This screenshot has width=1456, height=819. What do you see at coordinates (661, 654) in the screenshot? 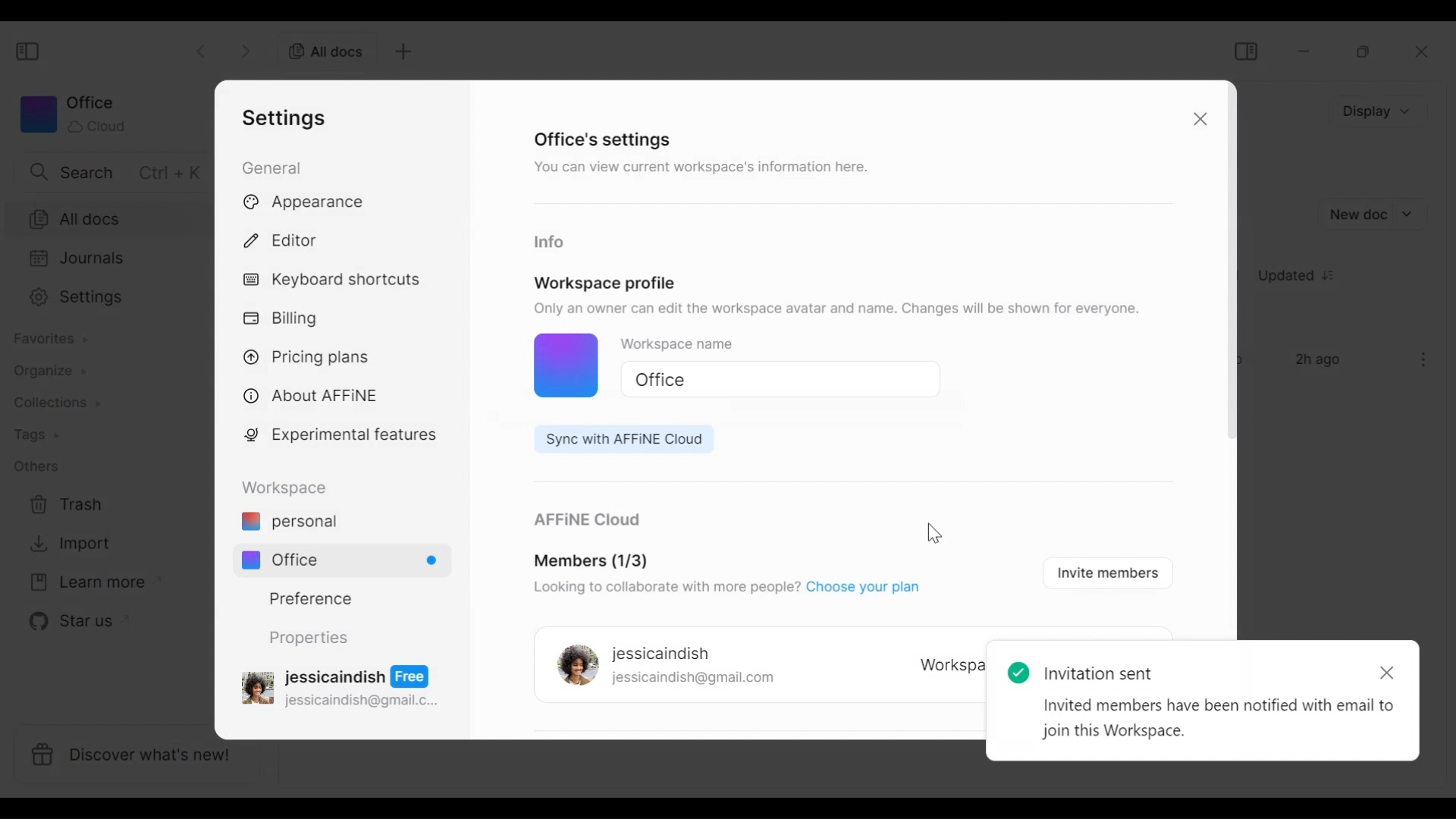
I see `Jessicaindish` at bounding box center [661, 654].